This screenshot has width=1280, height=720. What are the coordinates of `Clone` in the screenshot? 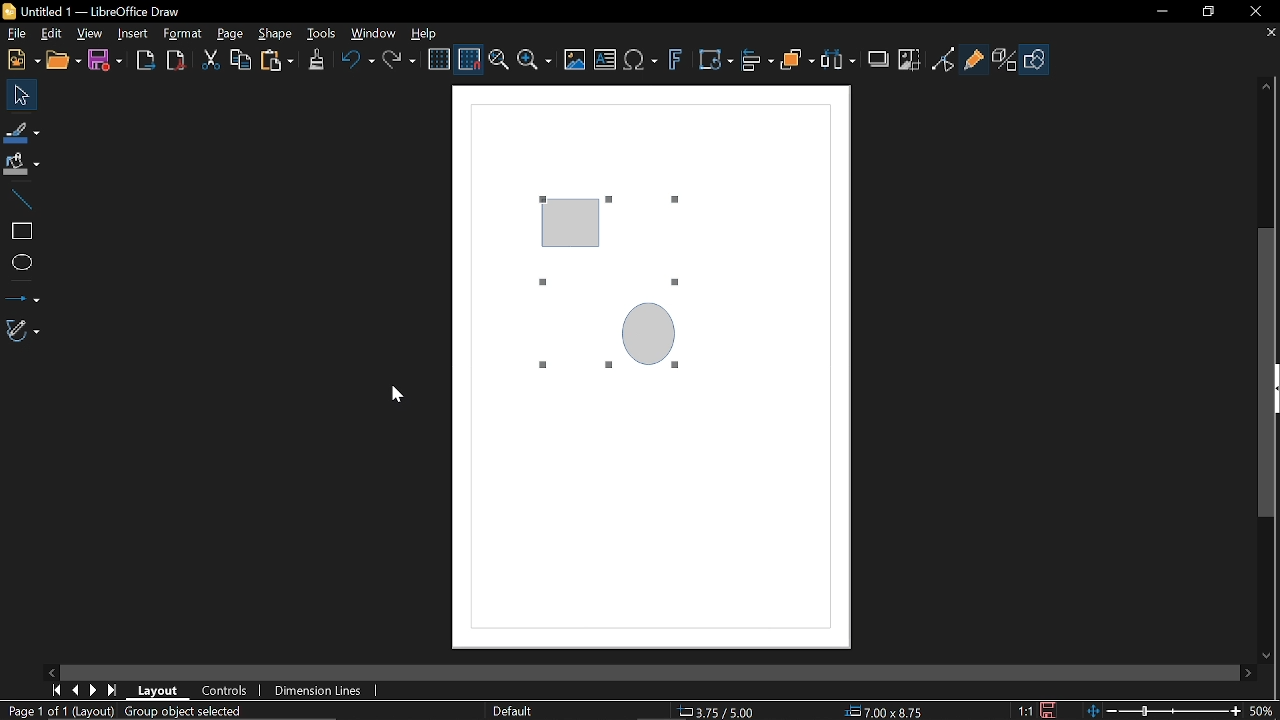 It's located at (318, 61).